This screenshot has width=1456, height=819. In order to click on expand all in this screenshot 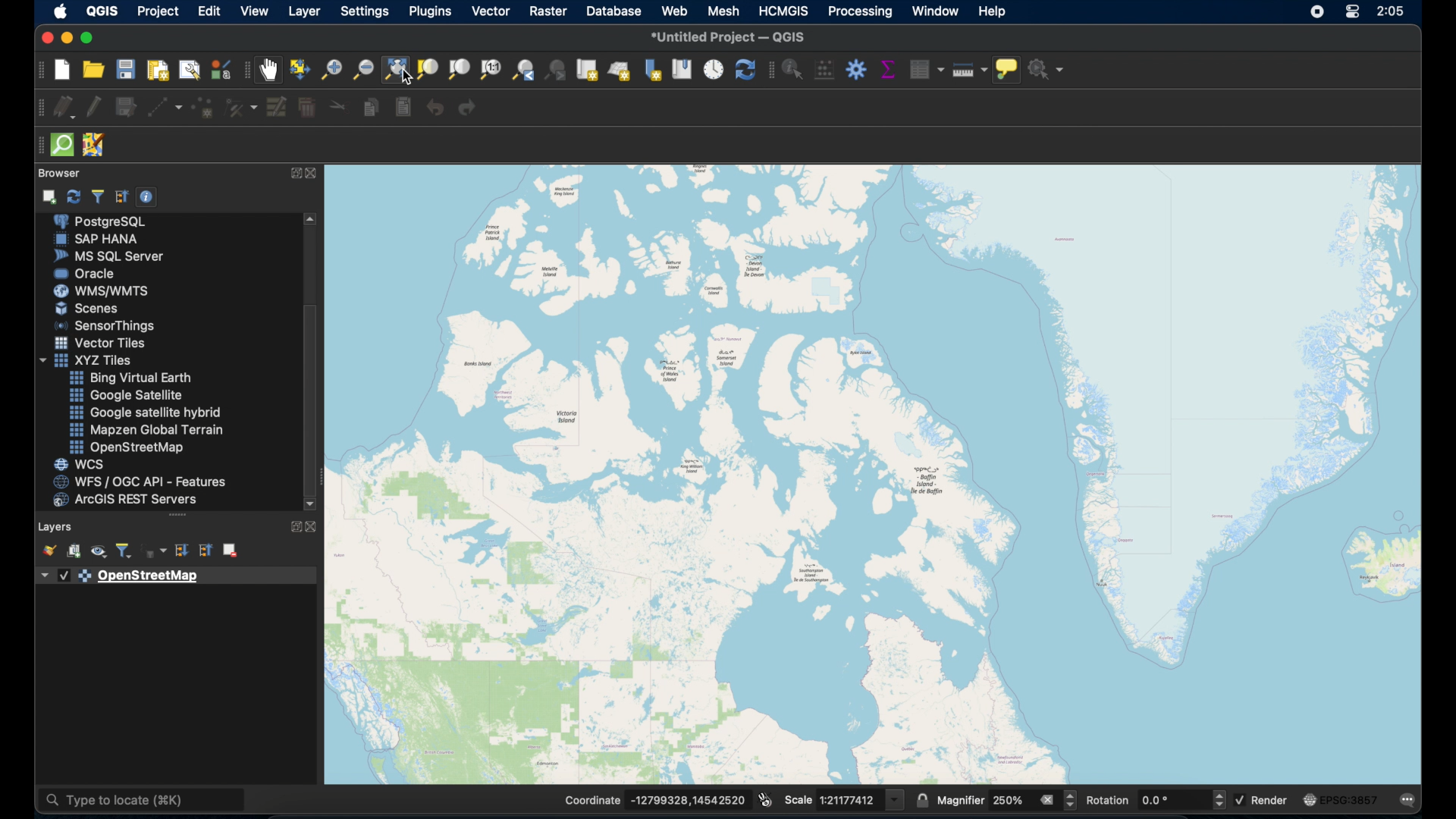, I will do `click(181, 550)`.